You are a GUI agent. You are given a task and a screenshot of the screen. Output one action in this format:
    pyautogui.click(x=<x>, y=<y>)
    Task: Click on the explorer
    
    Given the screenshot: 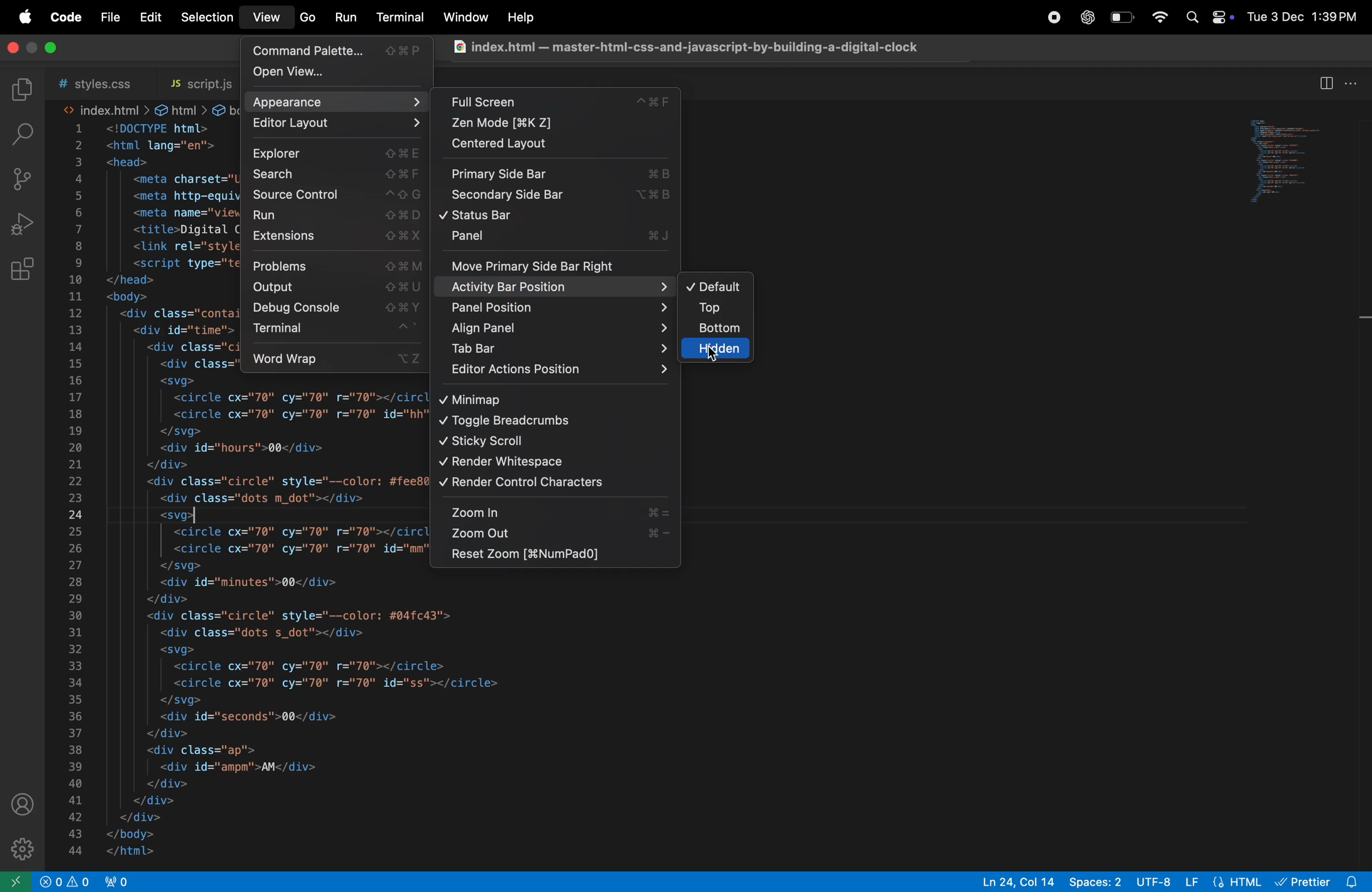 What is the action you would take?
    pyautogui.click(x=21, y=90)
    